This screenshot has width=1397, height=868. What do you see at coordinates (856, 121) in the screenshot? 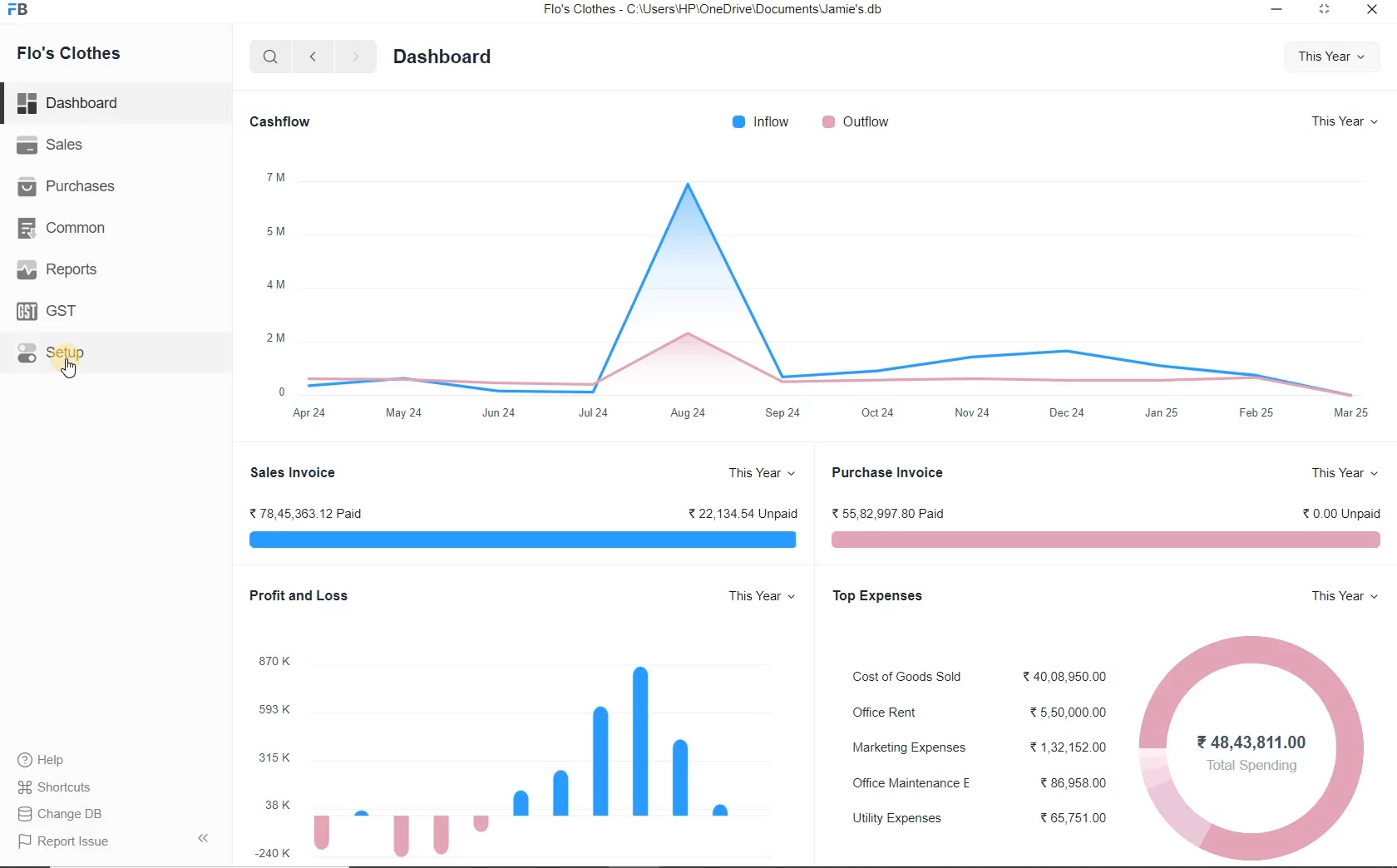
I see `@® Outflow` at bounding box center [856, 121].